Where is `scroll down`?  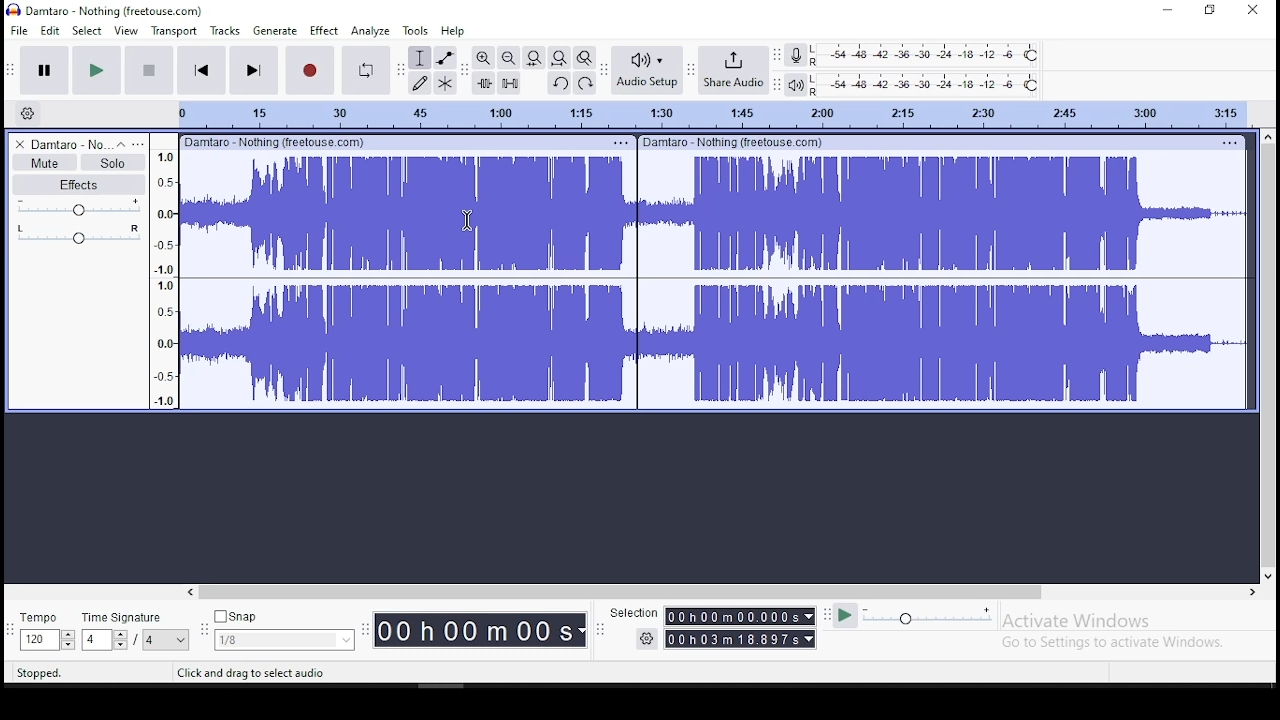 scroll down is located at coordinates (1269, 576).